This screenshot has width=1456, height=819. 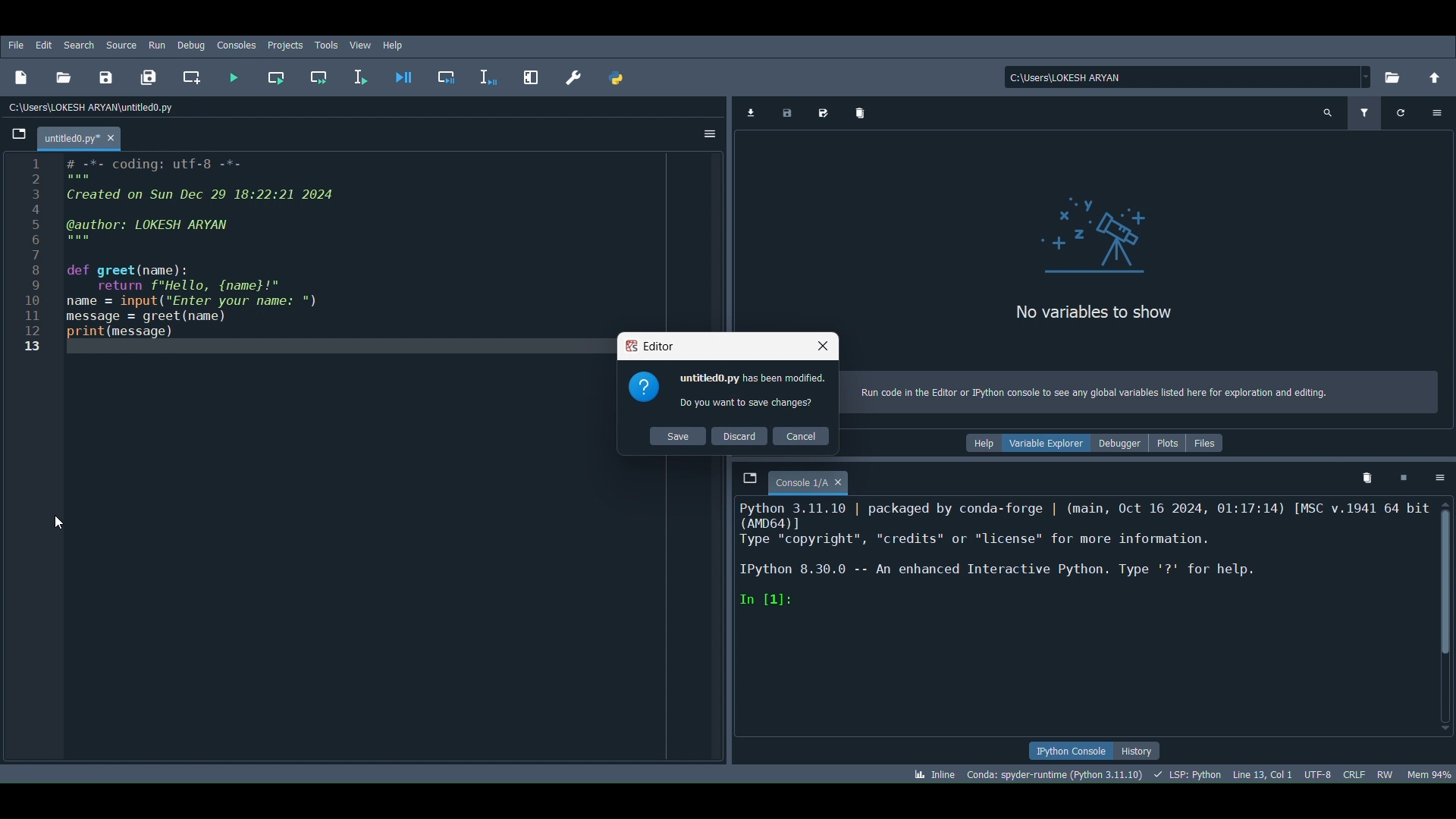 What do you see at coordinates (104, 74) in the screenshot?
I see `Save file (Ctrl + S)` at bounding box center [104, 74].